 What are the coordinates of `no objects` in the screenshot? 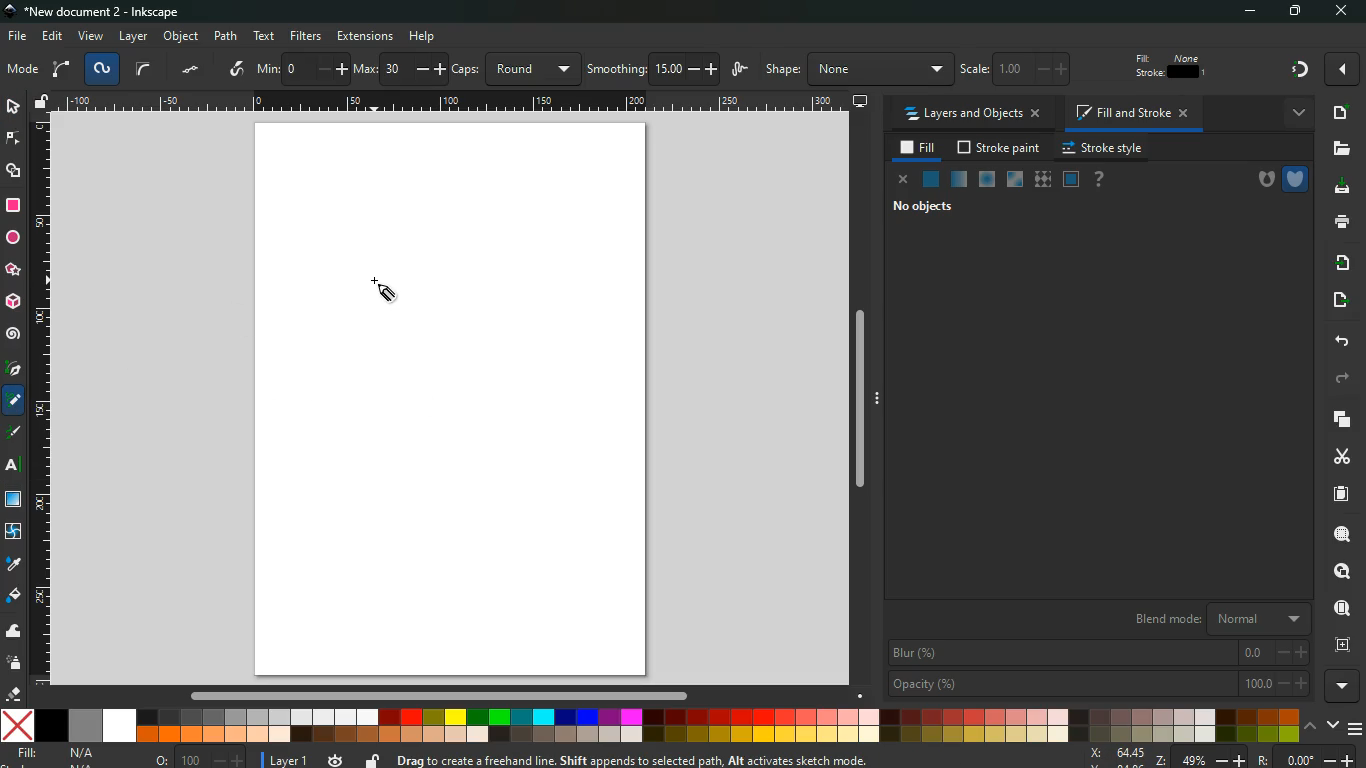 It's located at (941, 208).